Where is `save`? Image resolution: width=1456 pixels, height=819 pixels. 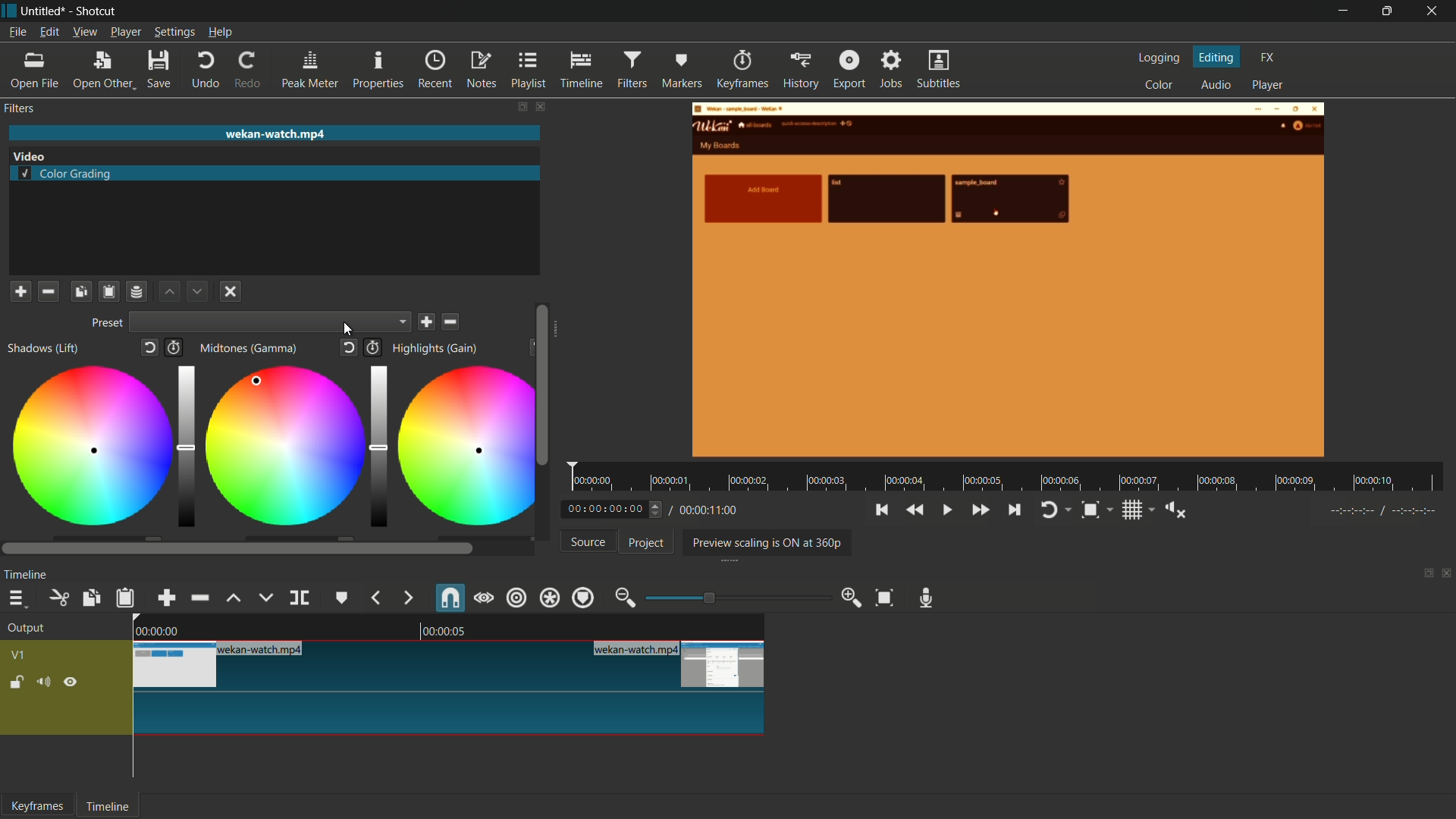
save is located at coordinates (426, 322).